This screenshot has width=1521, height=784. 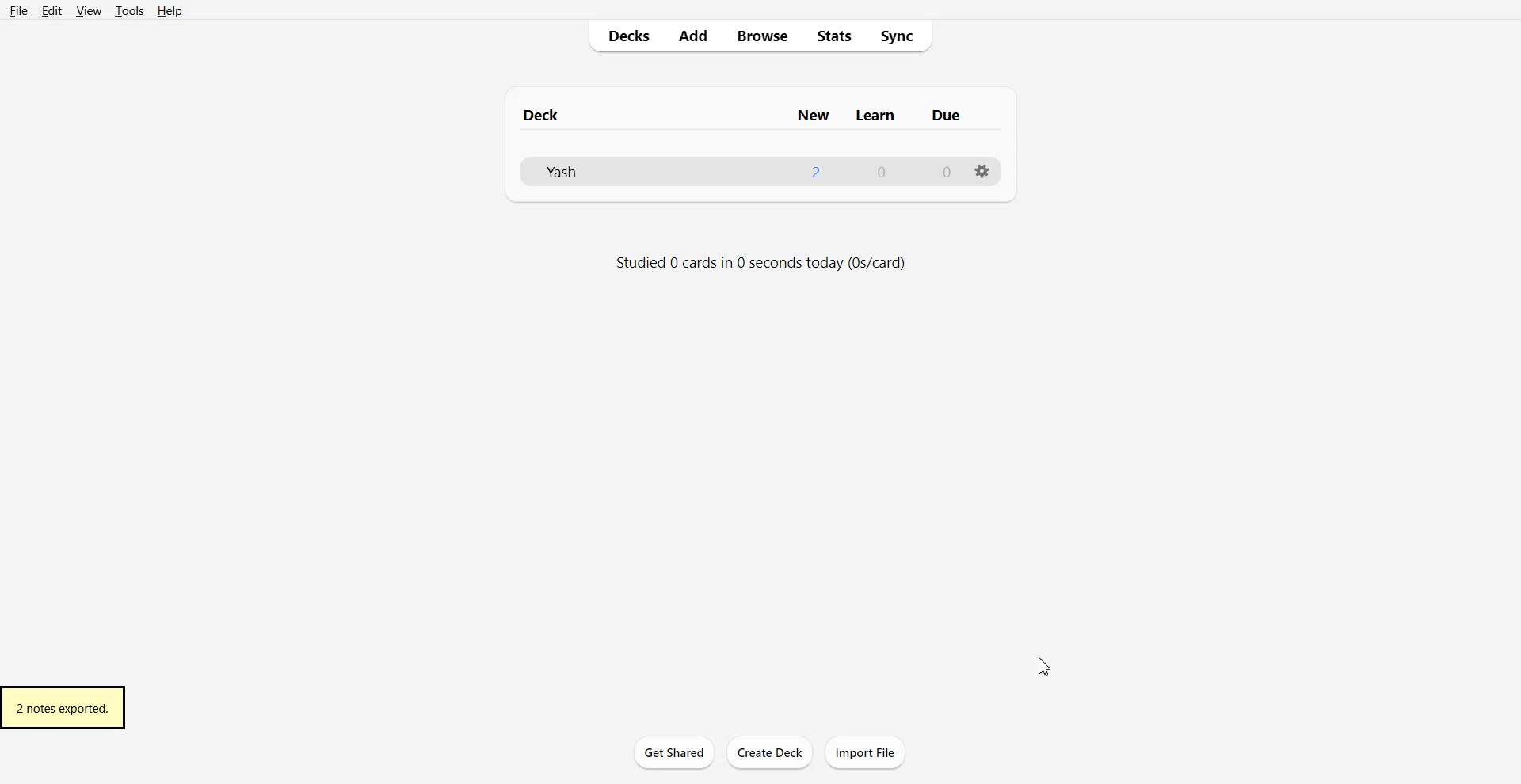 I want to click on Tools, so click(x=130, y=12).